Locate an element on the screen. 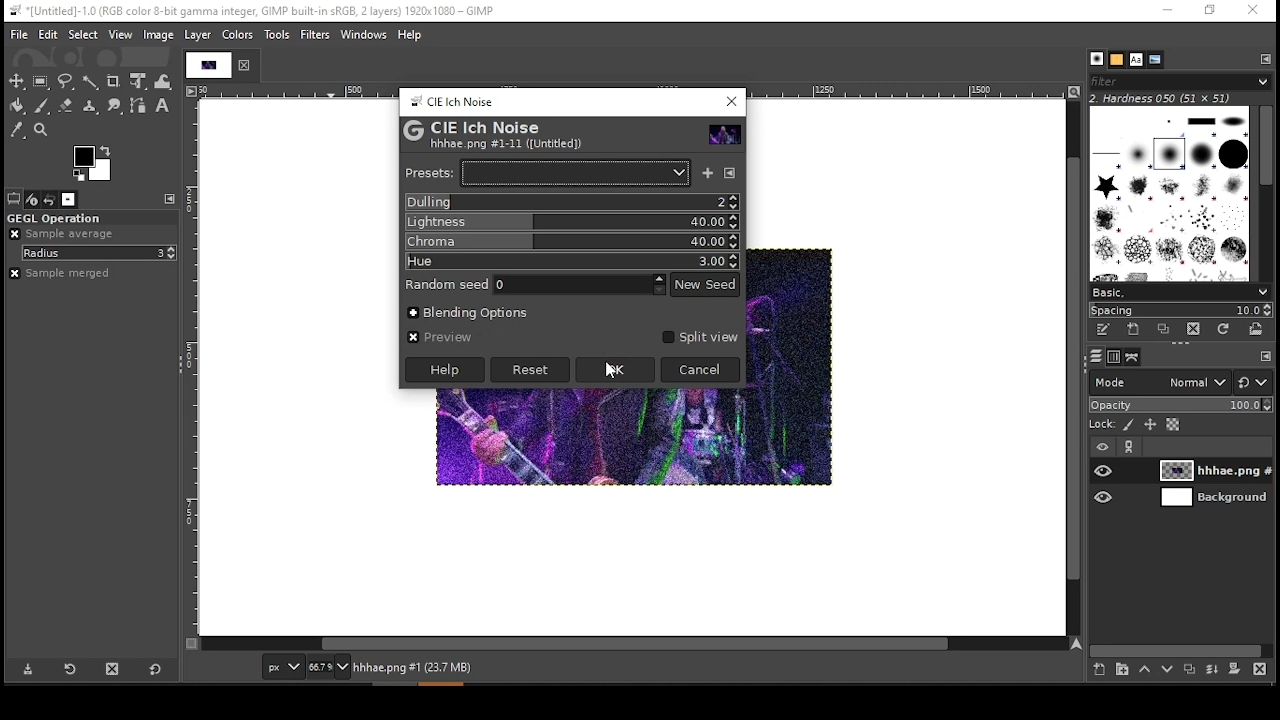 The image size is (1280, 720). select is located at coordinates (83, 34).